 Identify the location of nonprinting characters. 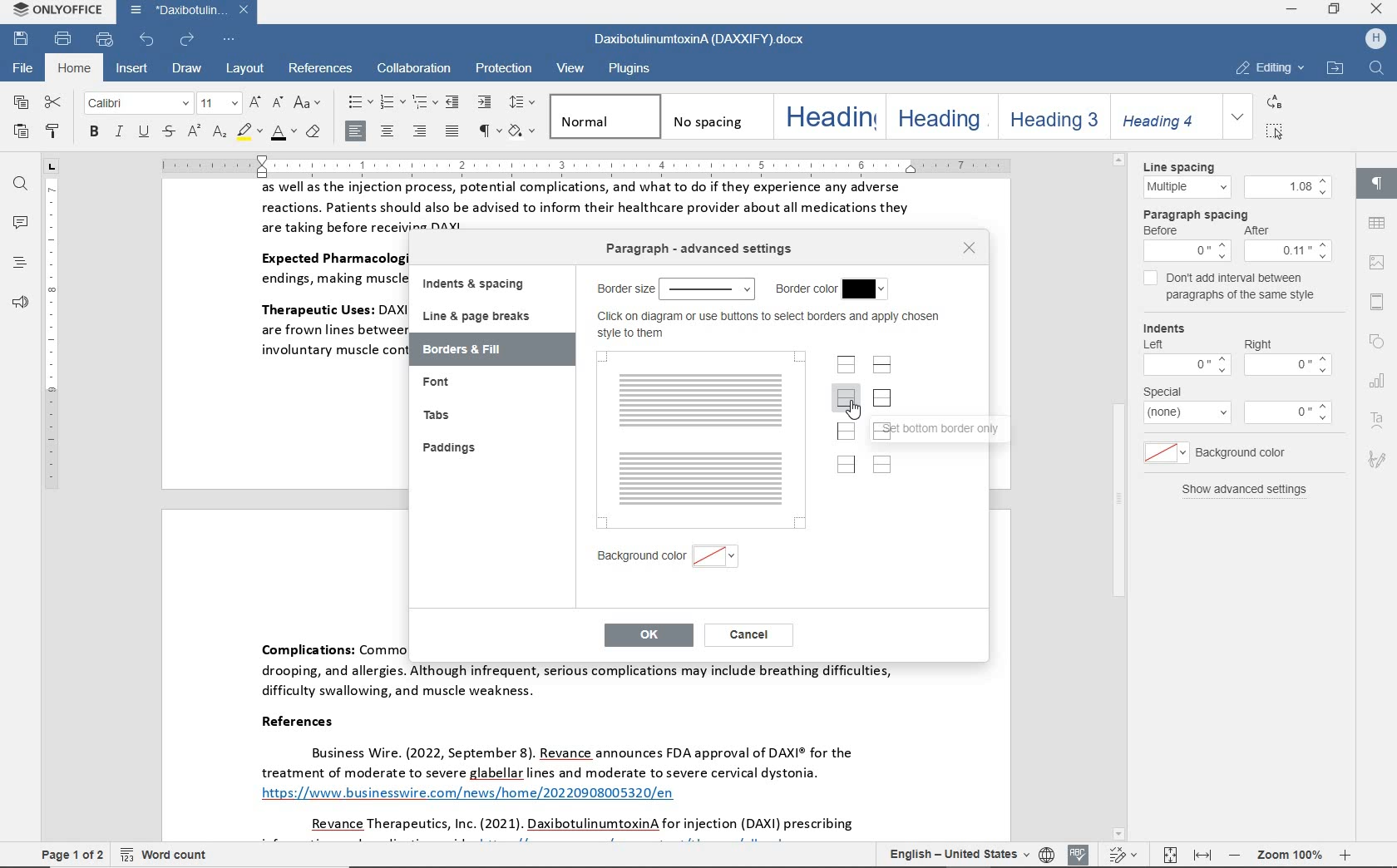
(487, 131).